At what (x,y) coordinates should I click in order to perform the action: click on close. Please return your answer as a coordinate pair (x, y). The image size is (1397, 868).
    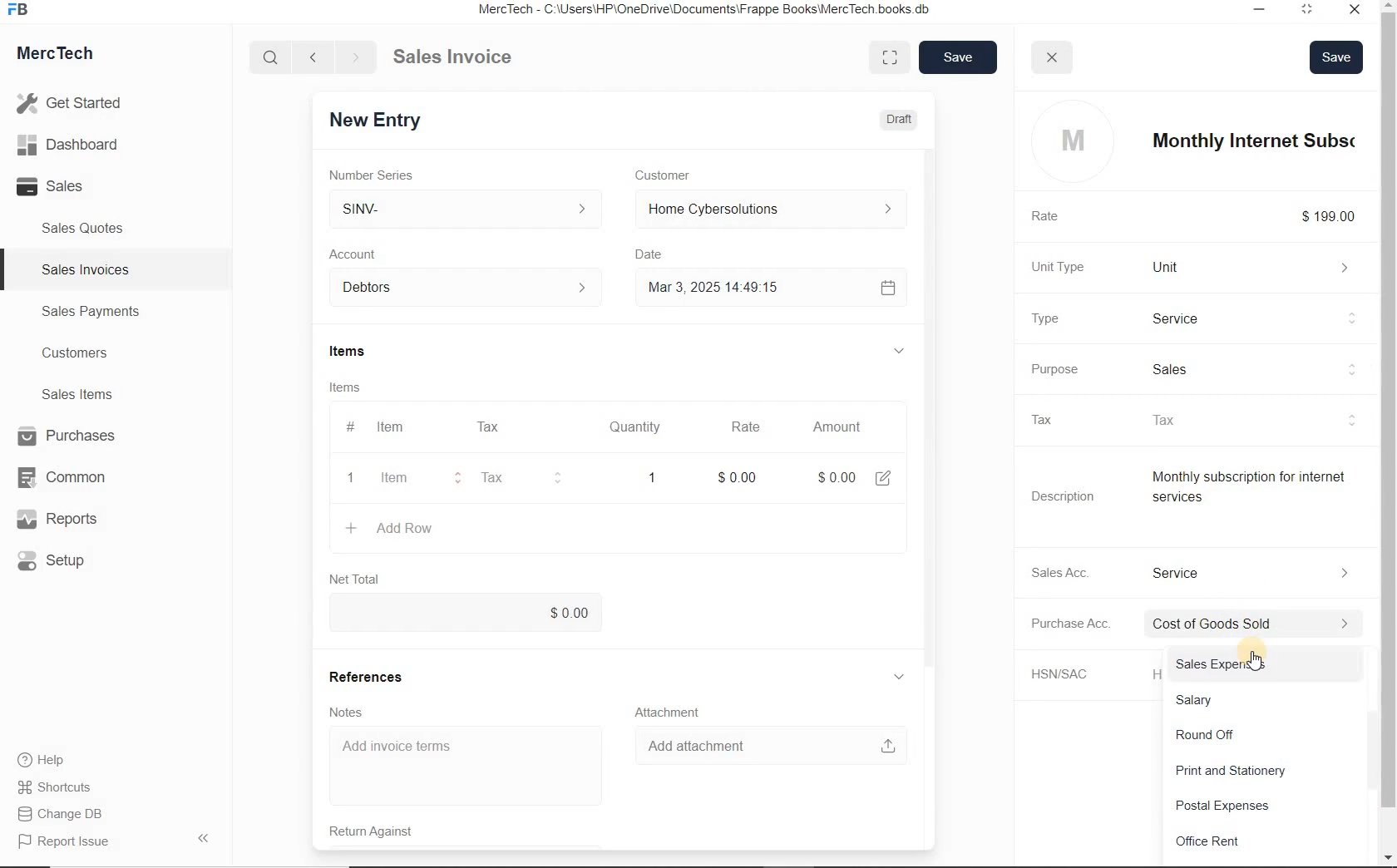
    Looking at the image, I should click on (1054, 57).